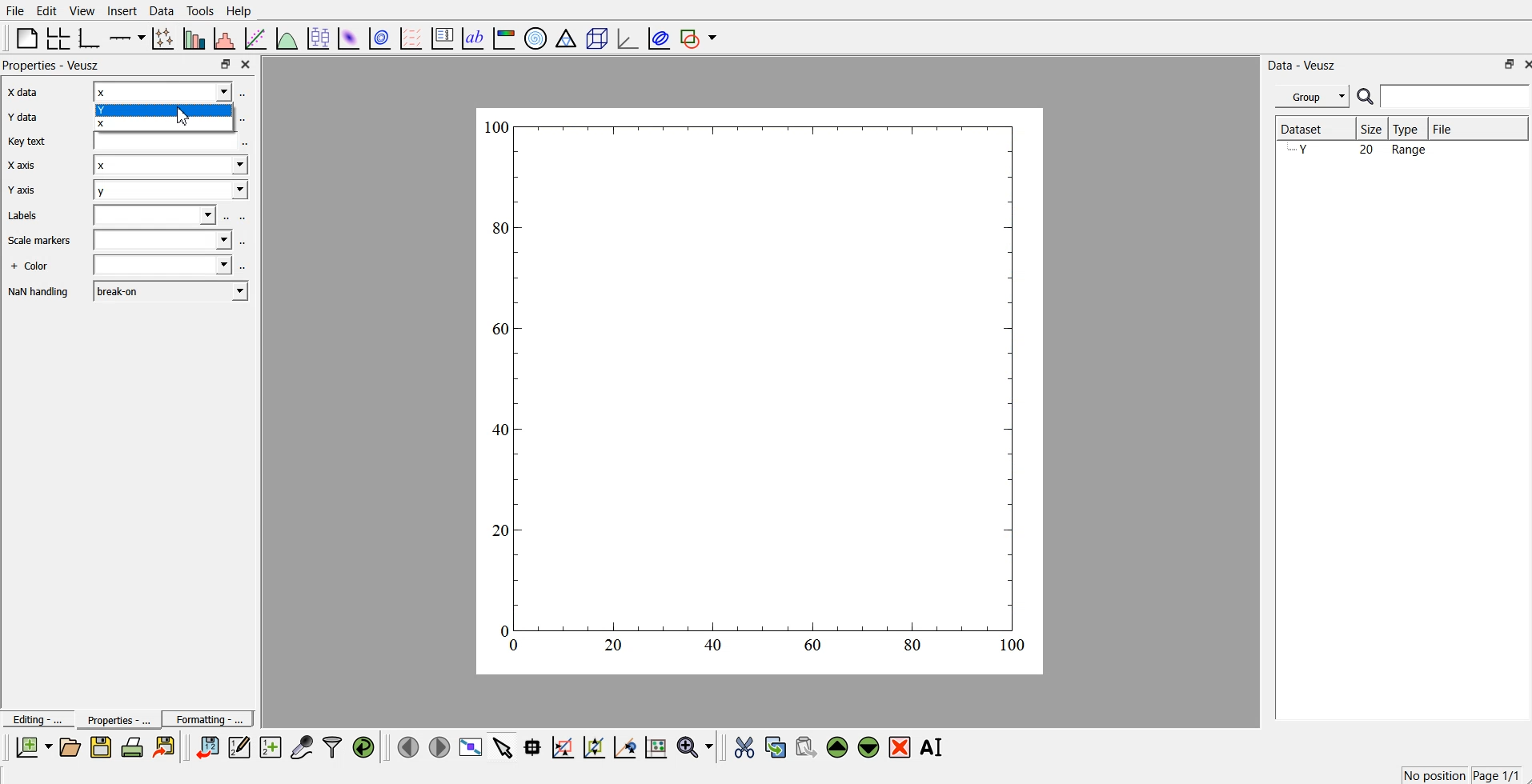 The width and height of the screenshot is (1532, 784). Describe the element at coordinates (656, 37) in the screenshot. I see `plot covariance ellipses` at that location.